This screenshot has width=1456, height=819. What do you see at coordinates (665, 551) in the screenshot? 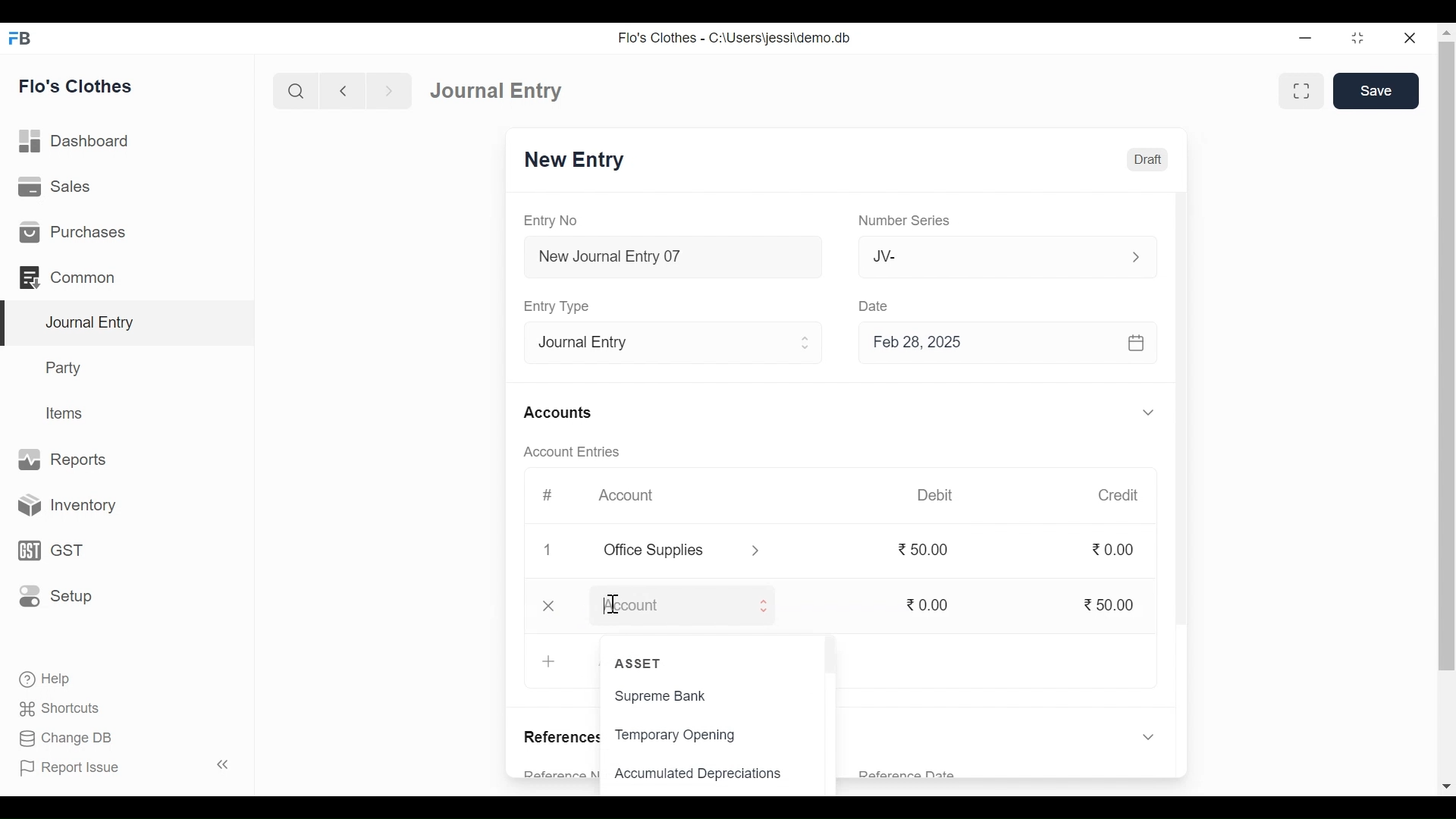
I see `Office Supplies` at bounding box center [665, 551].